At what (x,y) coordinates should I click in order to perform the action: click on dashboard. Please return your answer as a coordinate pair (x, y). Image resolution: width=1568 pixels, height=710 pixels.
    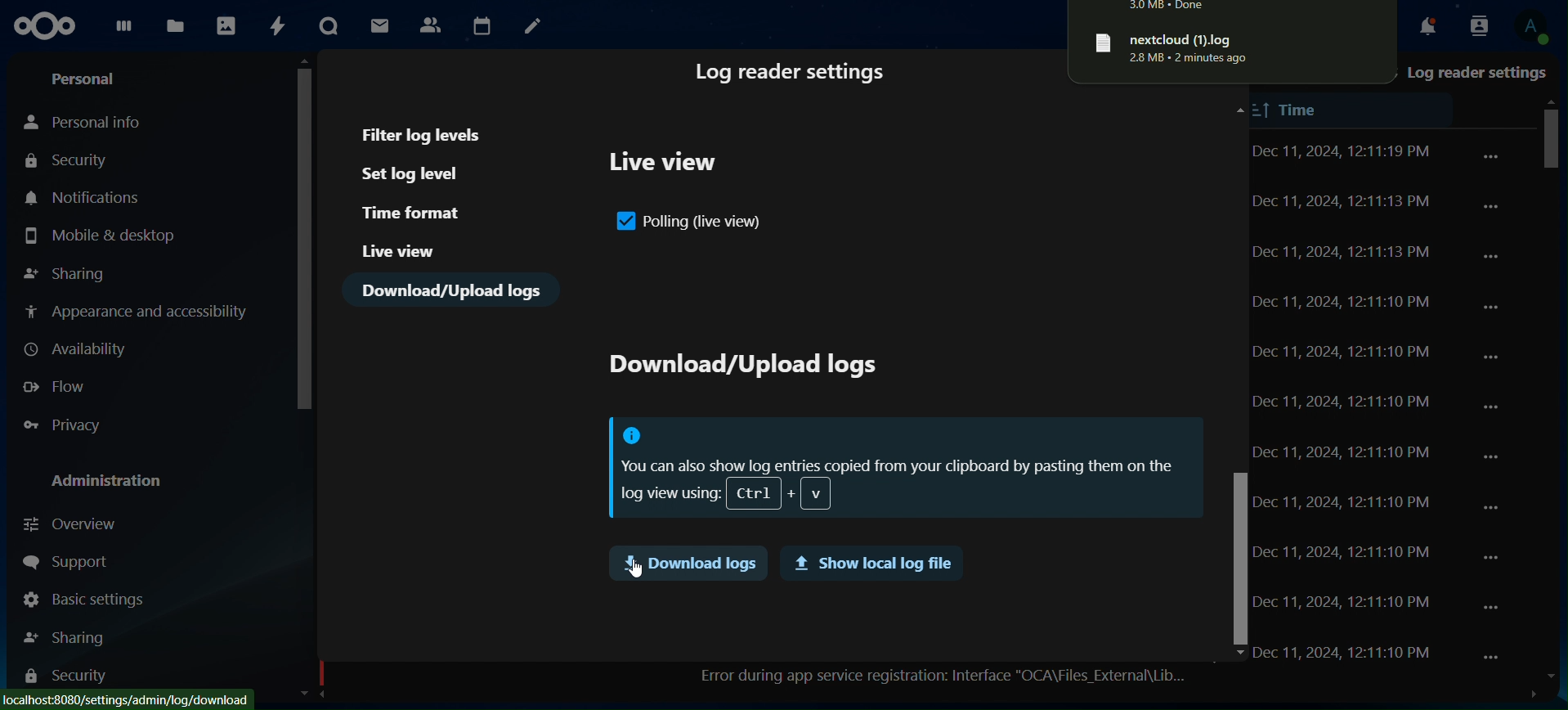
    Looking at the image, I should click on (123, 32).